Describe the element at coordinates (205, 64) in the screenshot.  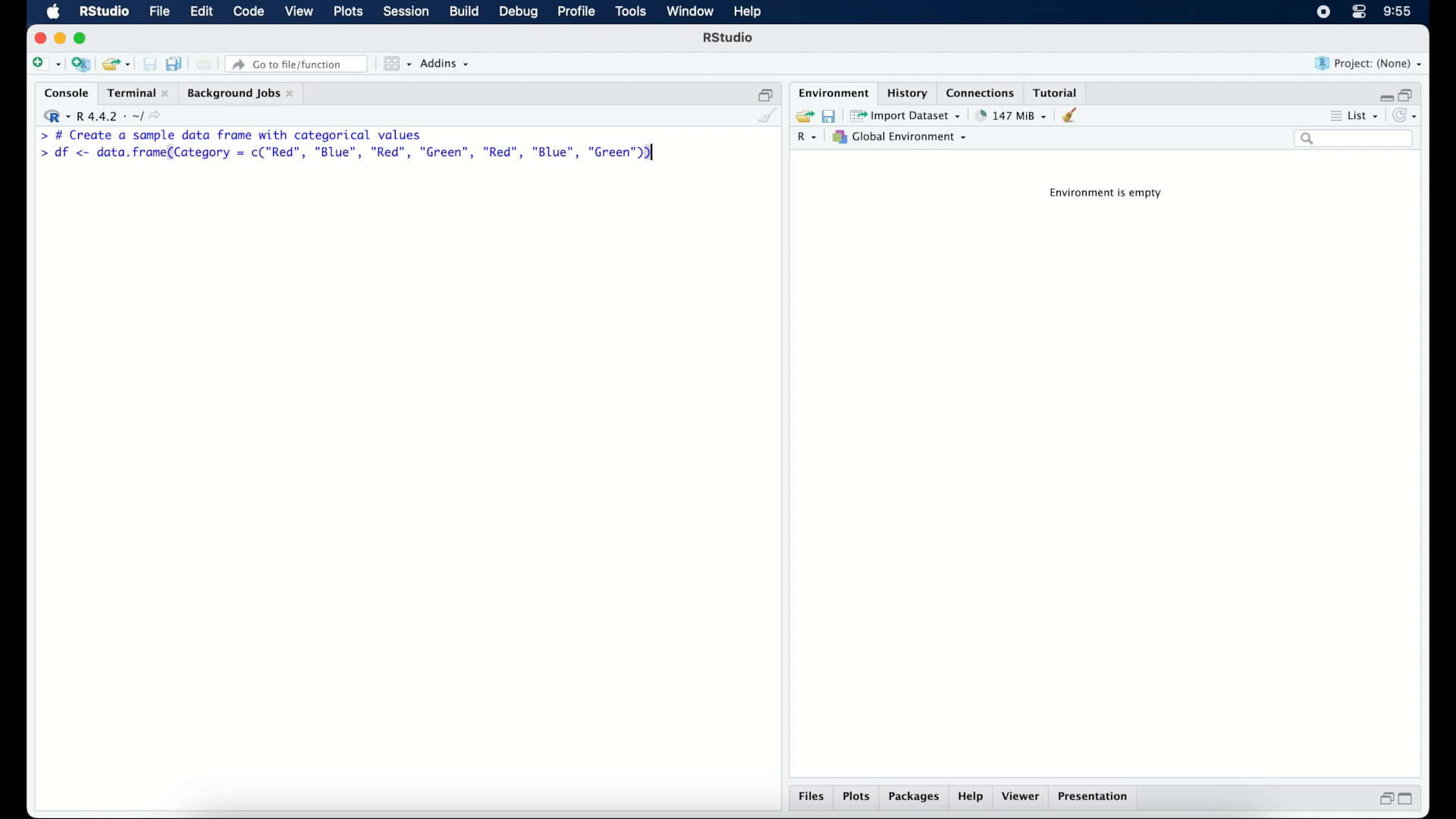
I see `print` at that location.